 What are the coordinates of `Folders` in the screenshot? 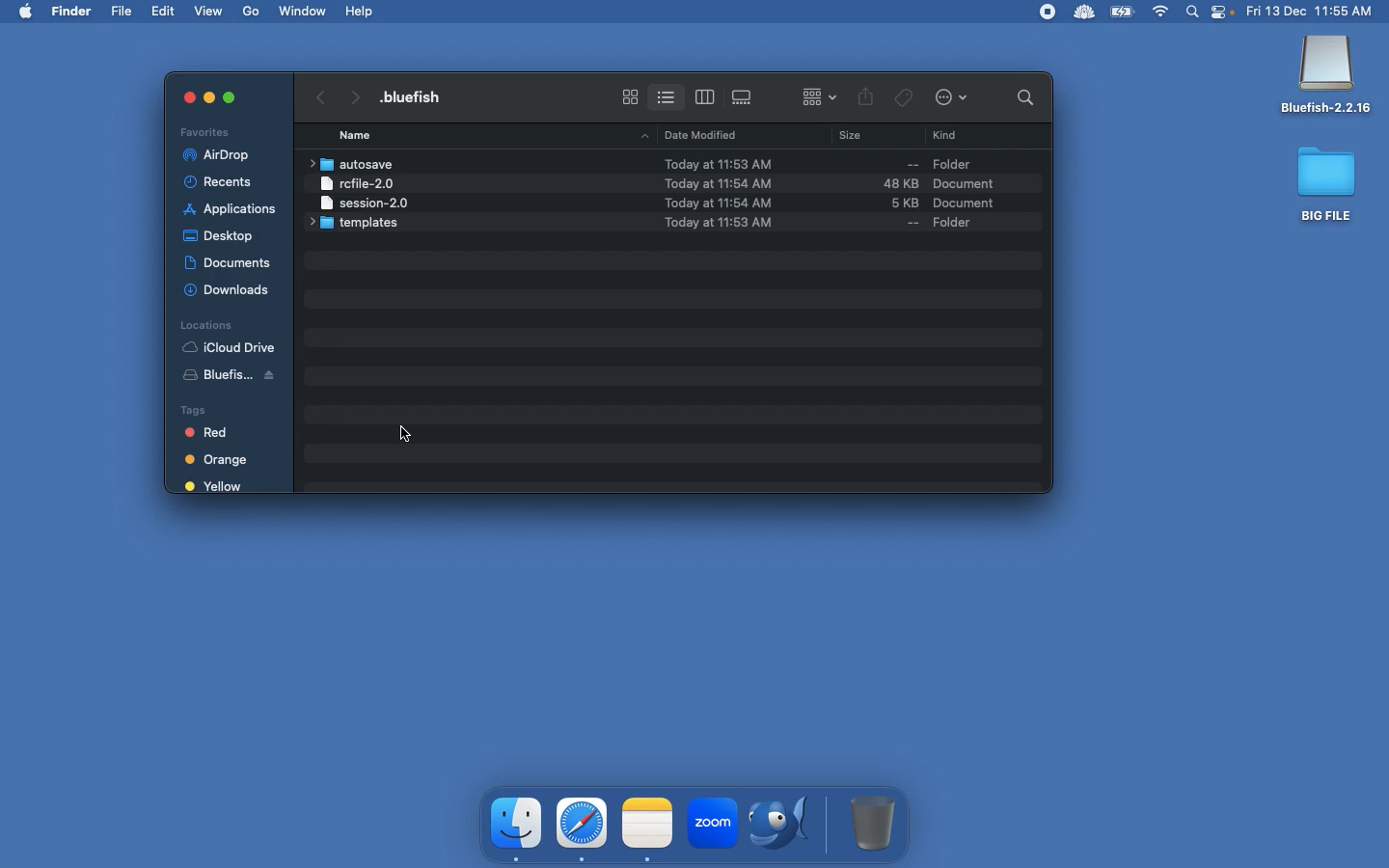 It's located at (359, 224).